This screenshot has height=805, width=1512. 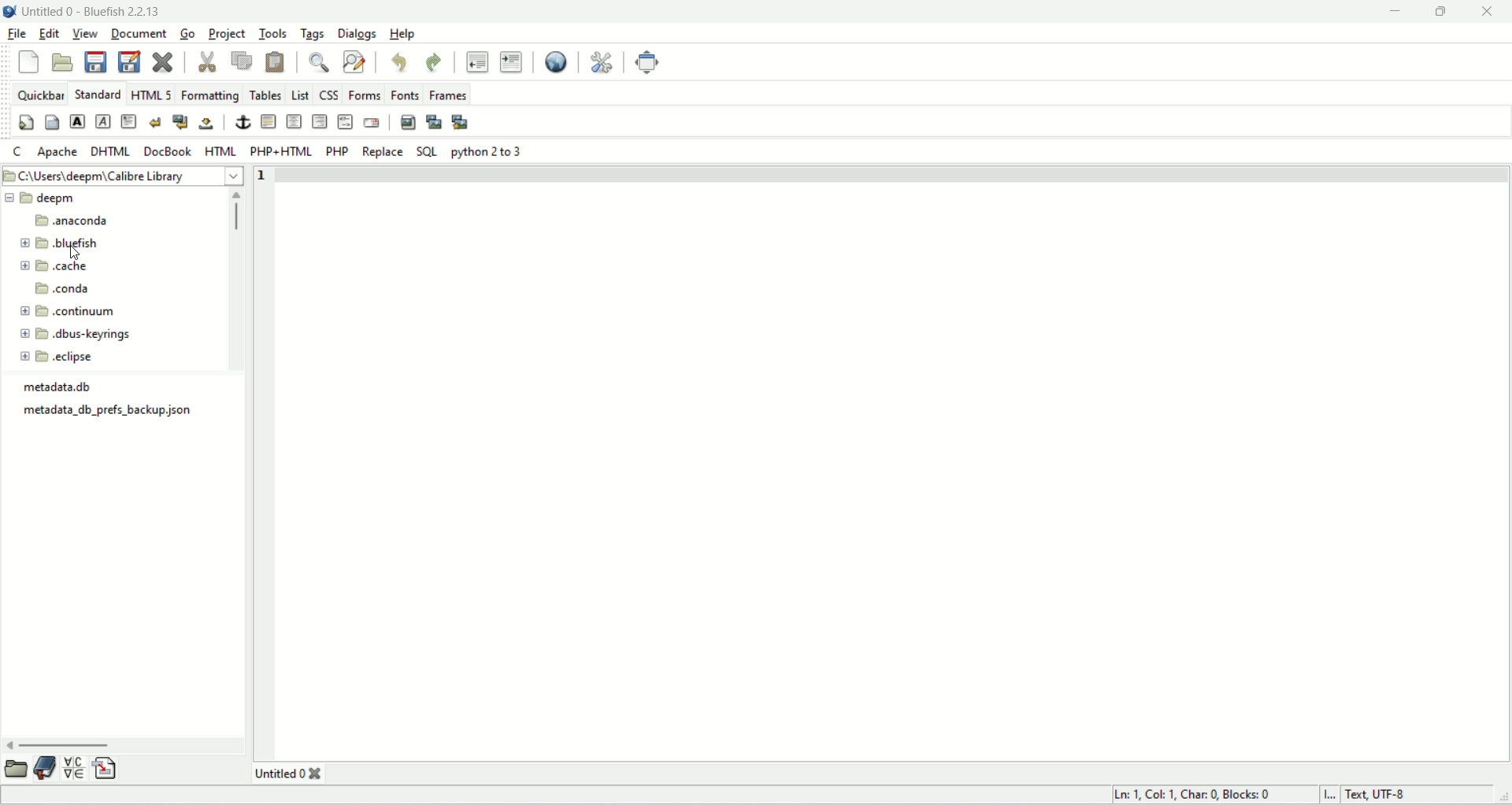 I want to click on minimize, so click(x=1395, y=11).